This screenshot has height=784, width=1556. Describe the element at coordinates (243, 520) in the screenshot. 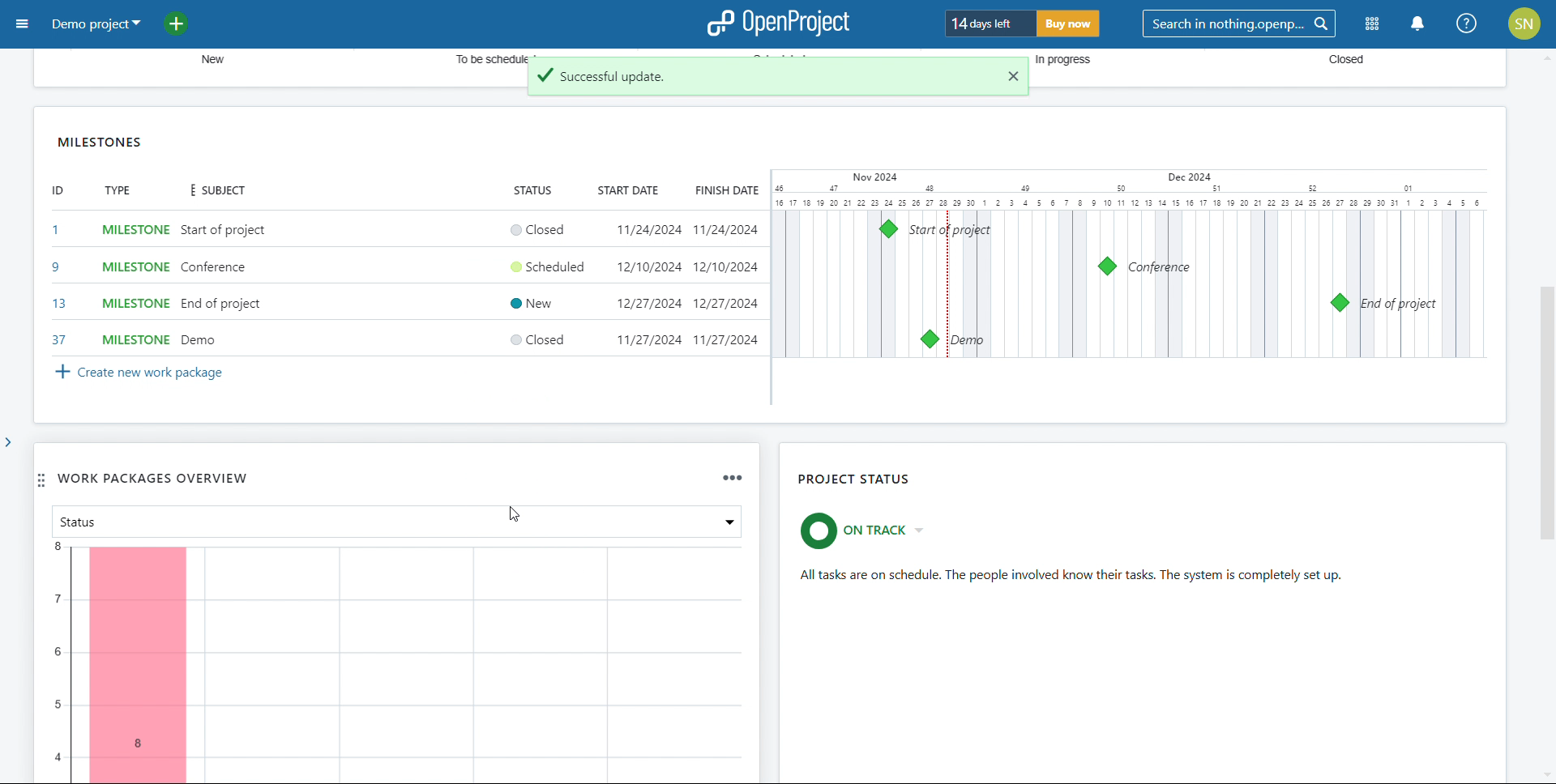

I see `select attribute` at that location.